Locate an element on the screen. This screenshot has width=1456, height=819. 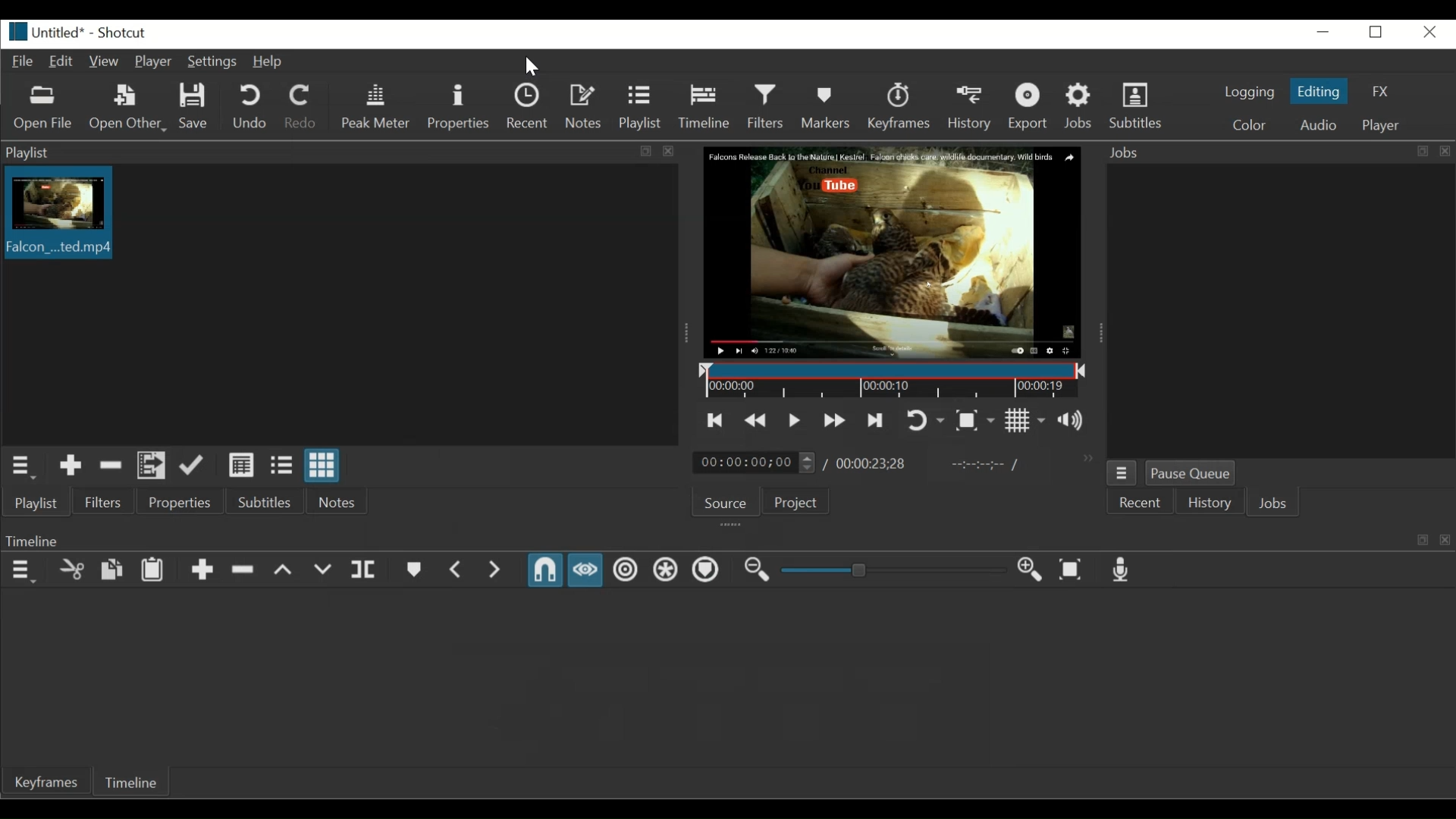
Play quickly backward is located at coordinates (758, 420).